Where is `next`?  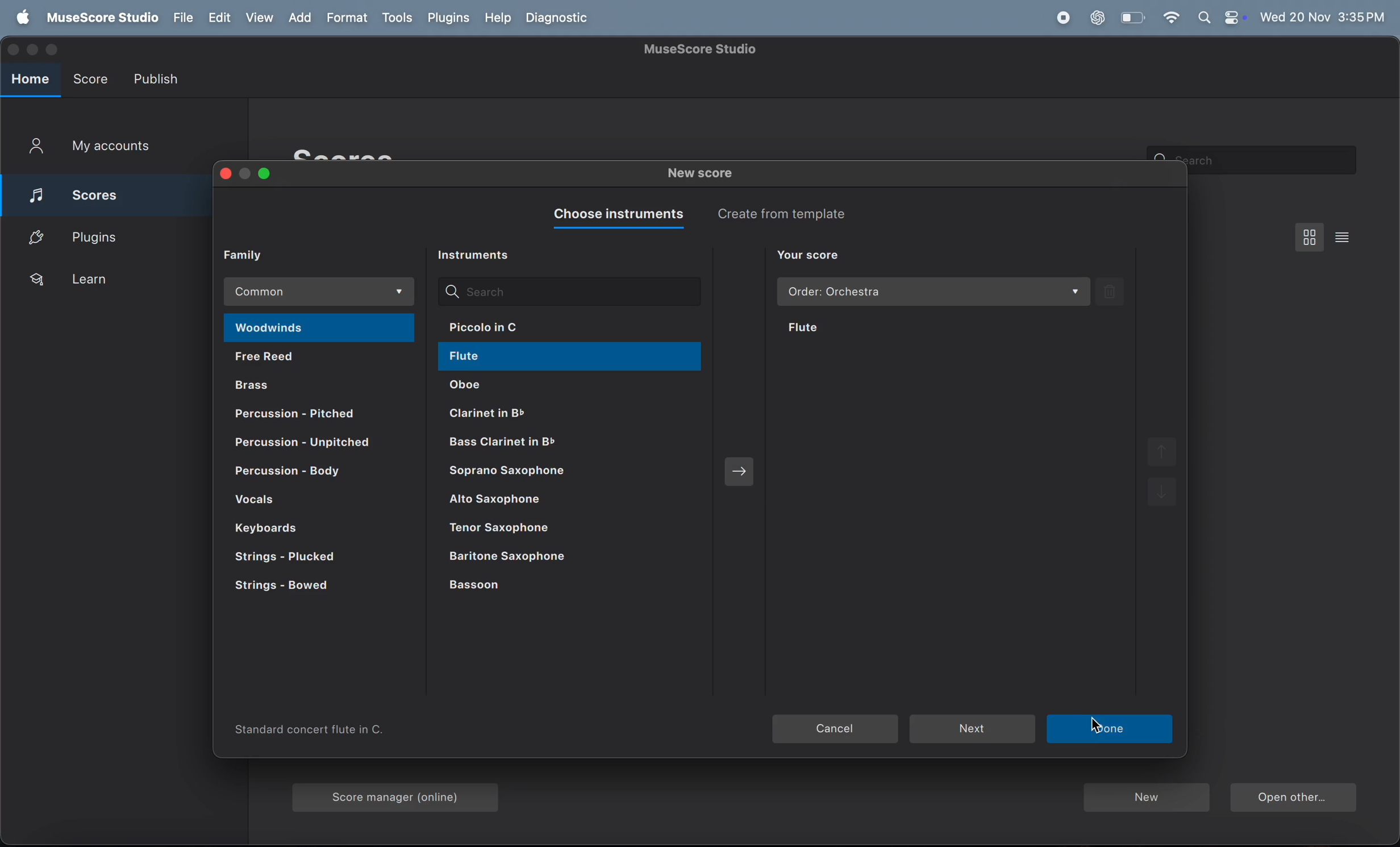 next is located at coordinates (1111, 729).